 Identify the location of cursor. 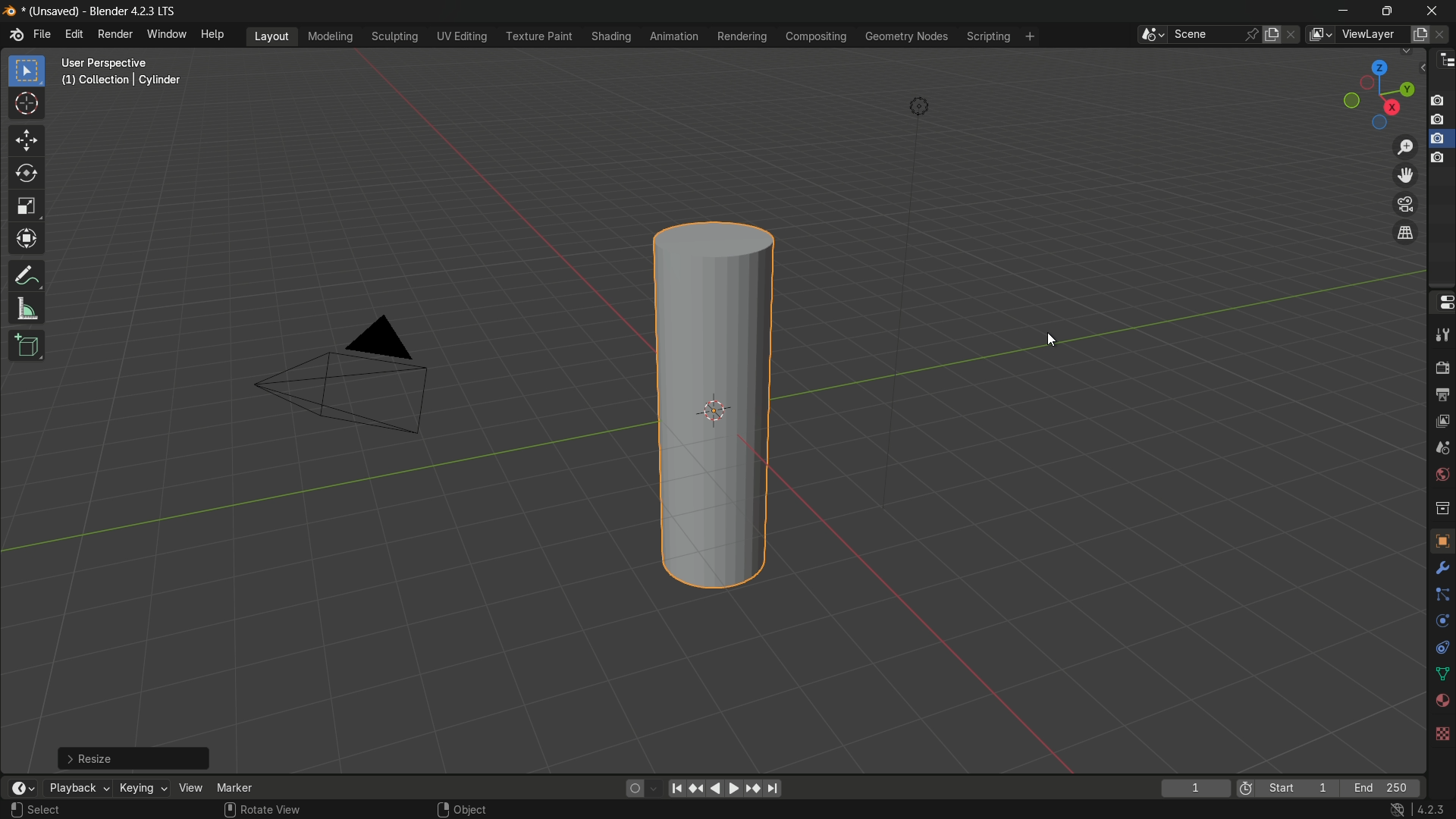
(27, 105).